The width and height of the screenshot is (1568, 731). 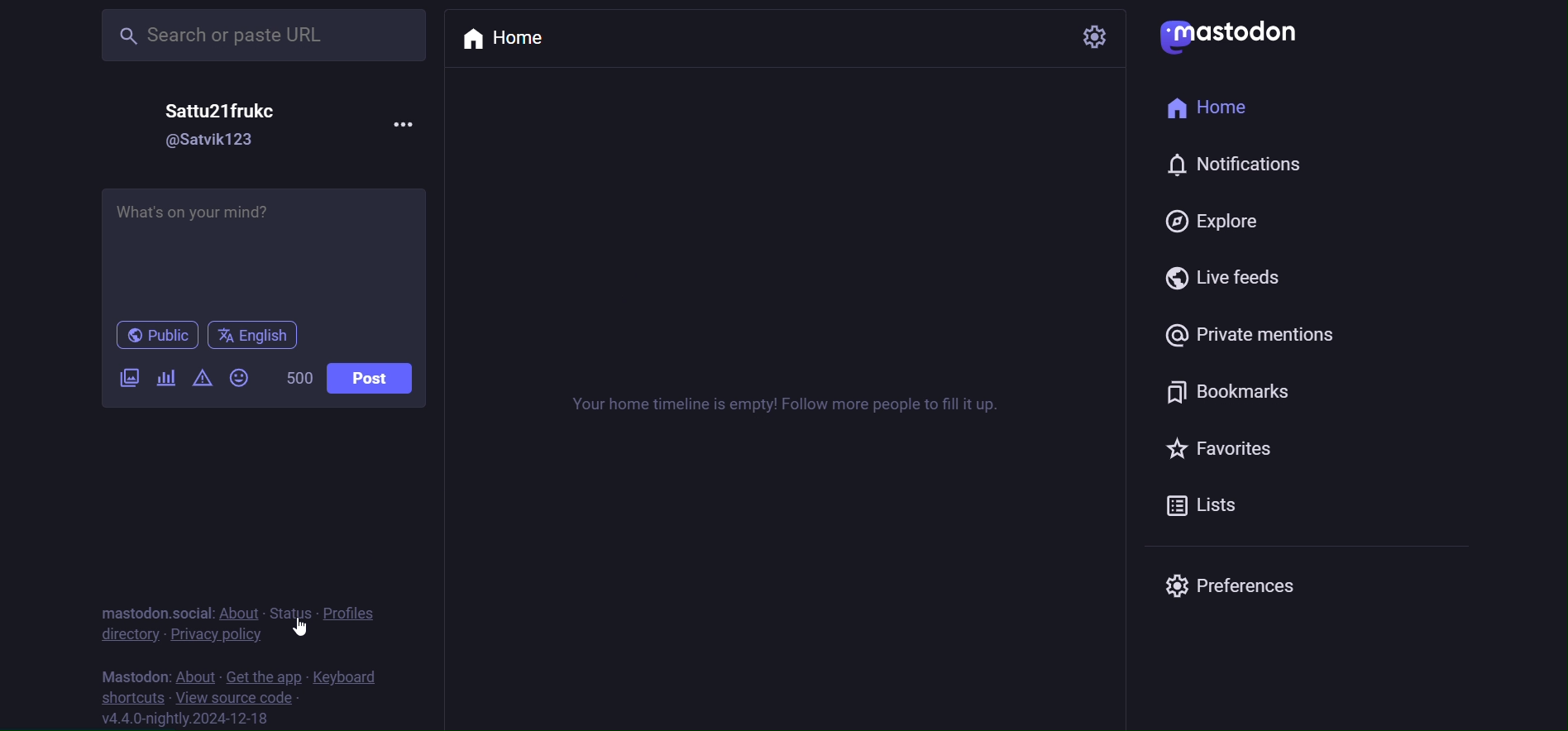 What do you see at coordinates (221, 638) in the screenshot?
I see `Privacy Policy` at bounding box center [221, 638].